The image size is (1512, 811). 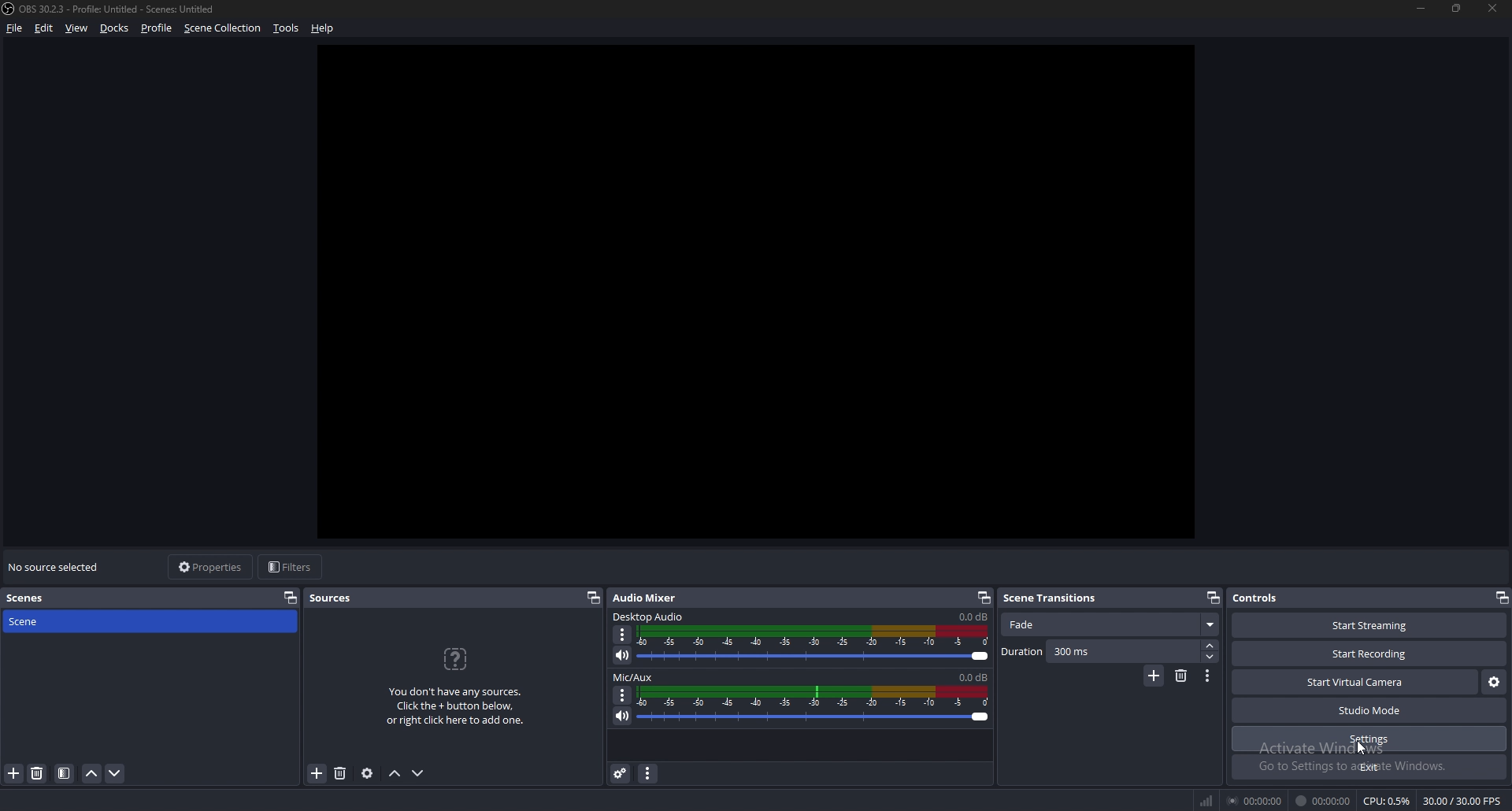 What do you see at coordinates (291, 597) in the screenshot?
I see `pop out` at bounding box center [291, 597].